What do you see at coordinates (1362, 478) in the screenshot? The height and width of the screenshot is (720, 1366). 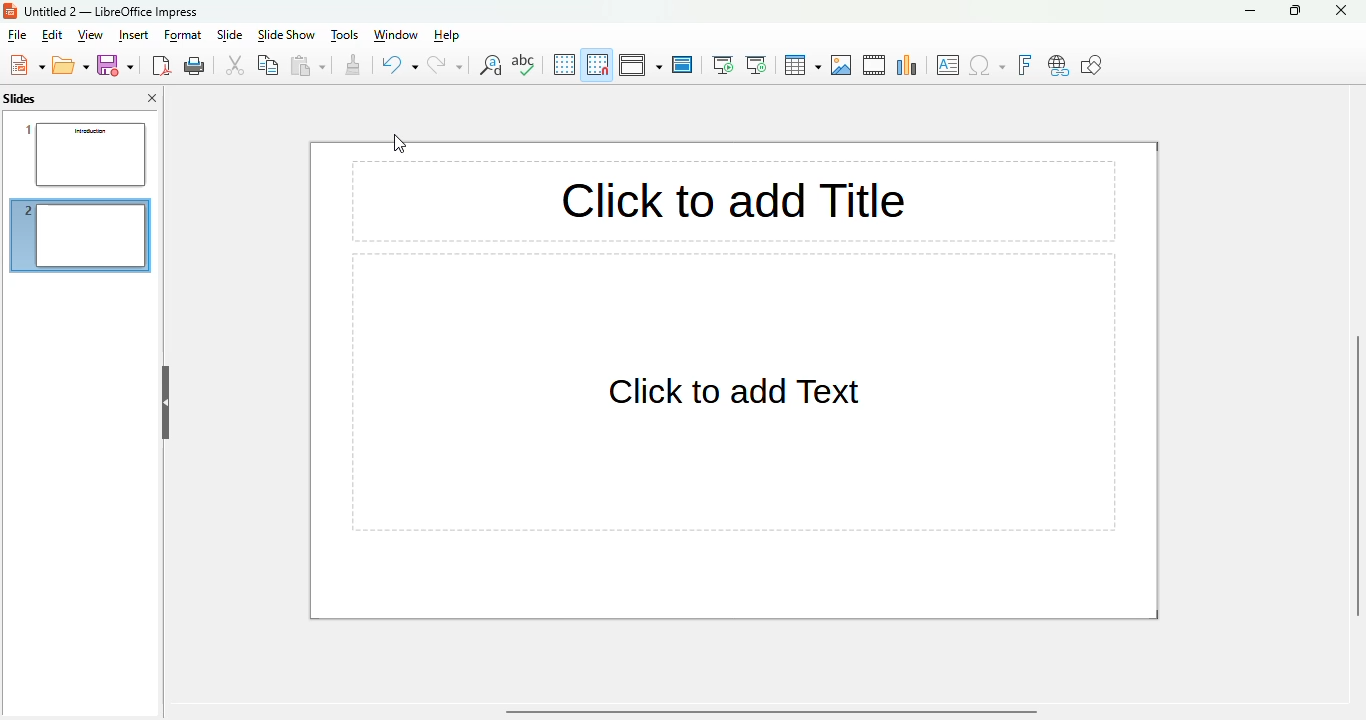 I see `vertical scrollbar` at bounding box center [1362, 478].